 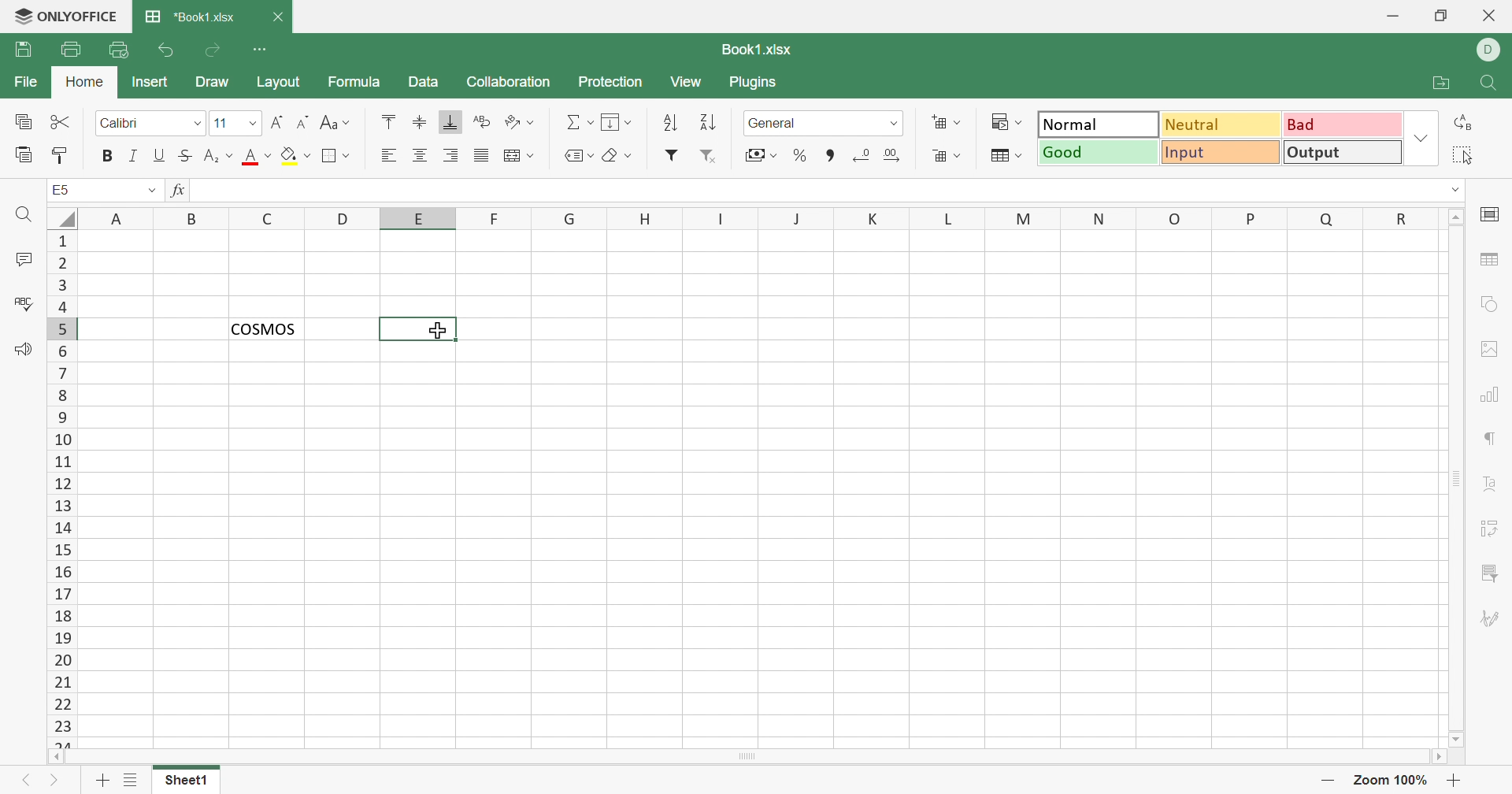 I want to click on Neurtal, so click(x=1222, y=126).